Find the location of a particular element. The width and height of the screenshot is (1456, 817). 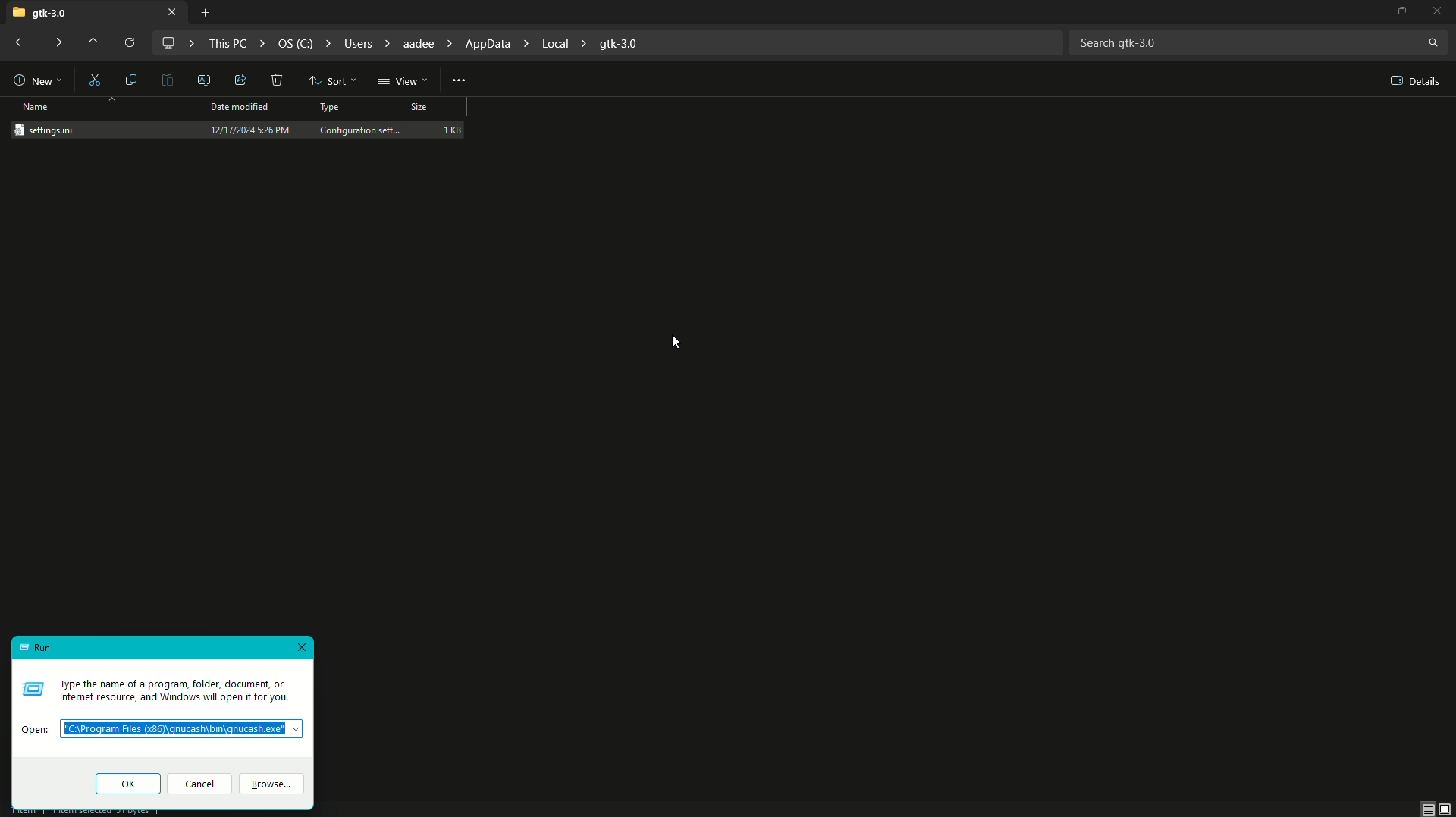

Cursor is located at coordinates (676, 343).